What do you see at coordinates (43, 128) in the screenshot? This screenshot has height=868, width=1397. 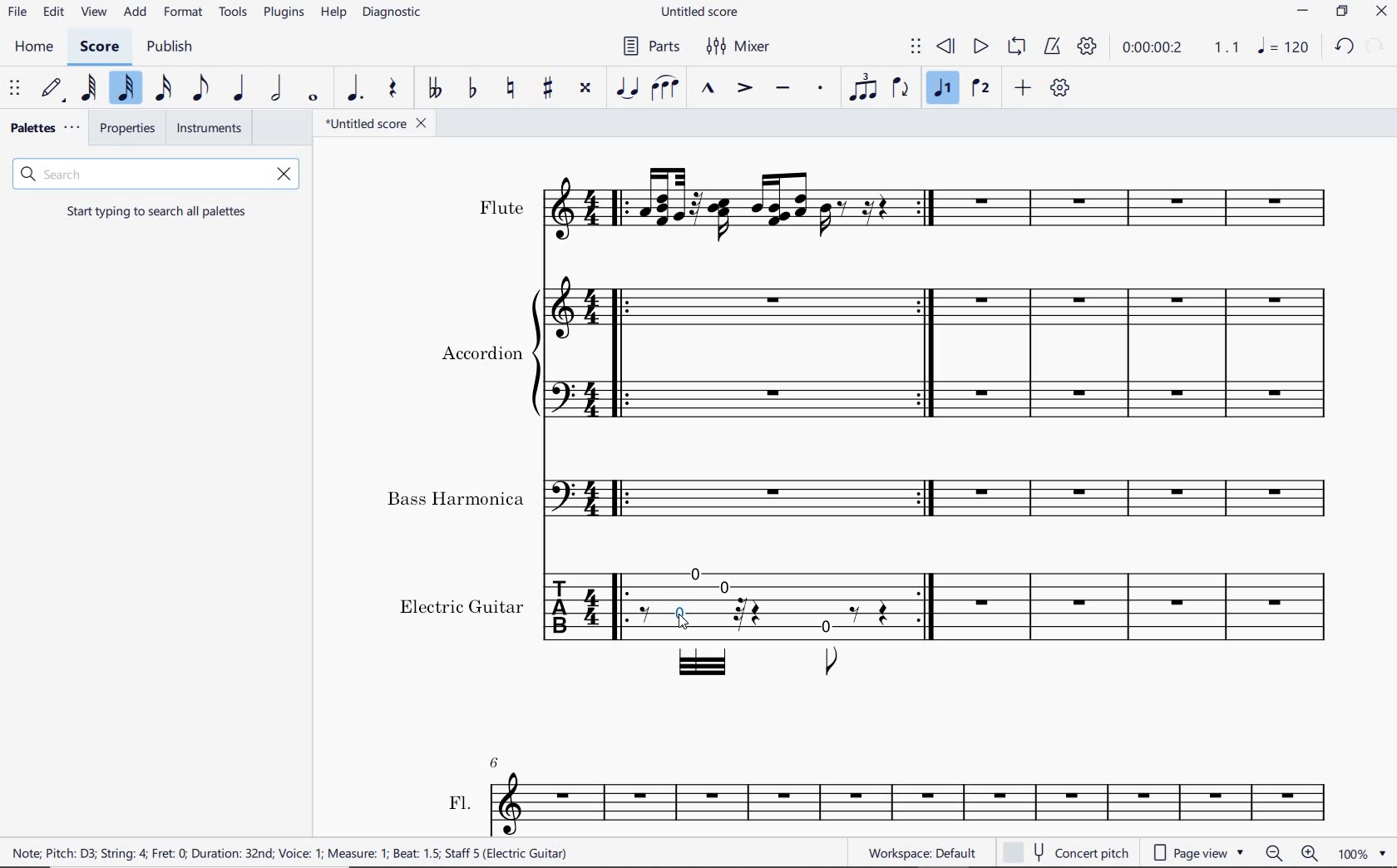 I see `palettes` at bounding box center [43, 128].